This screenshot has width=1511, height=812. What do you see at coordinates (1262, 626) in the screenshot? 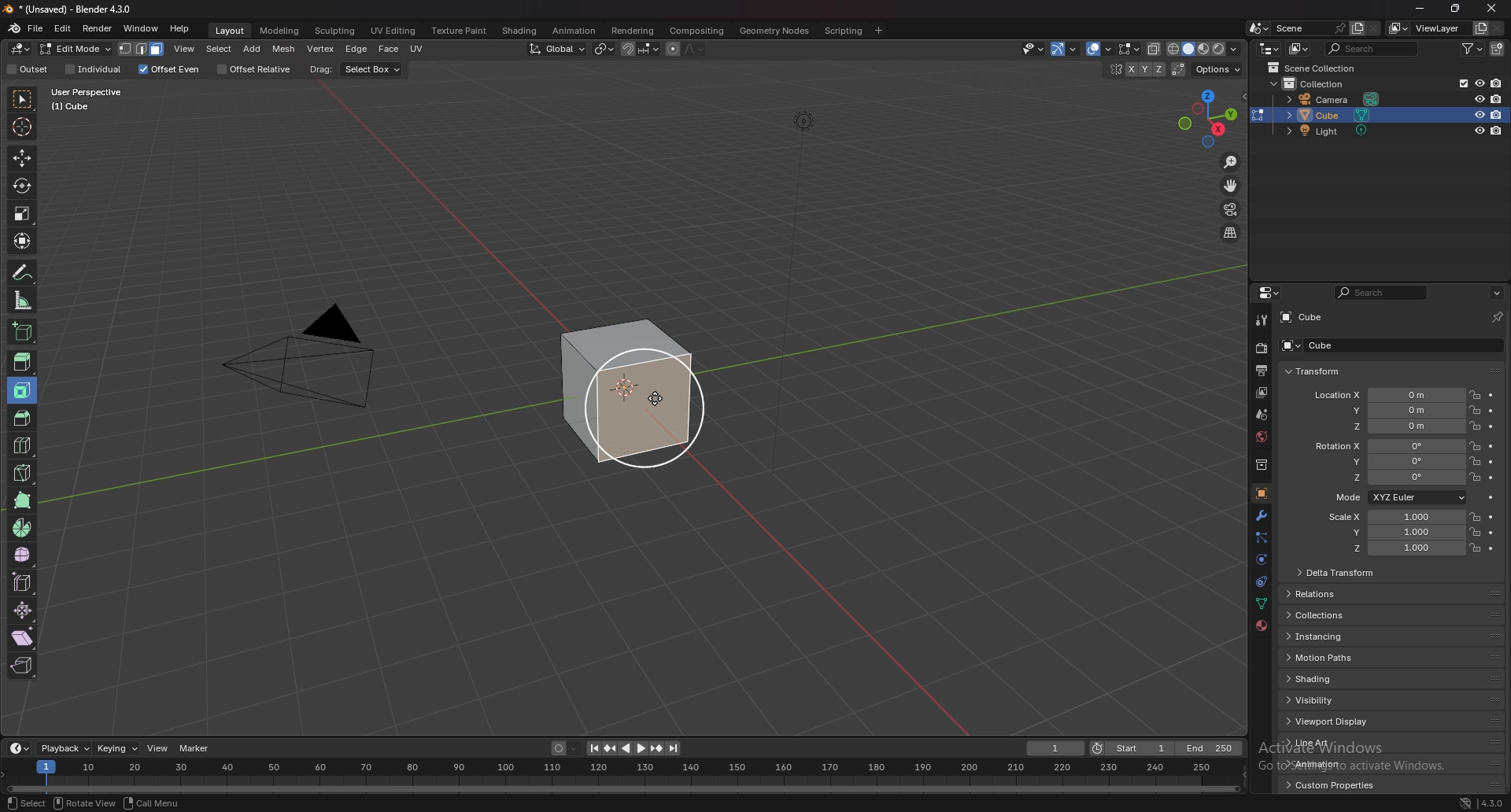
I see `material` at bounding box center [1262, 626].